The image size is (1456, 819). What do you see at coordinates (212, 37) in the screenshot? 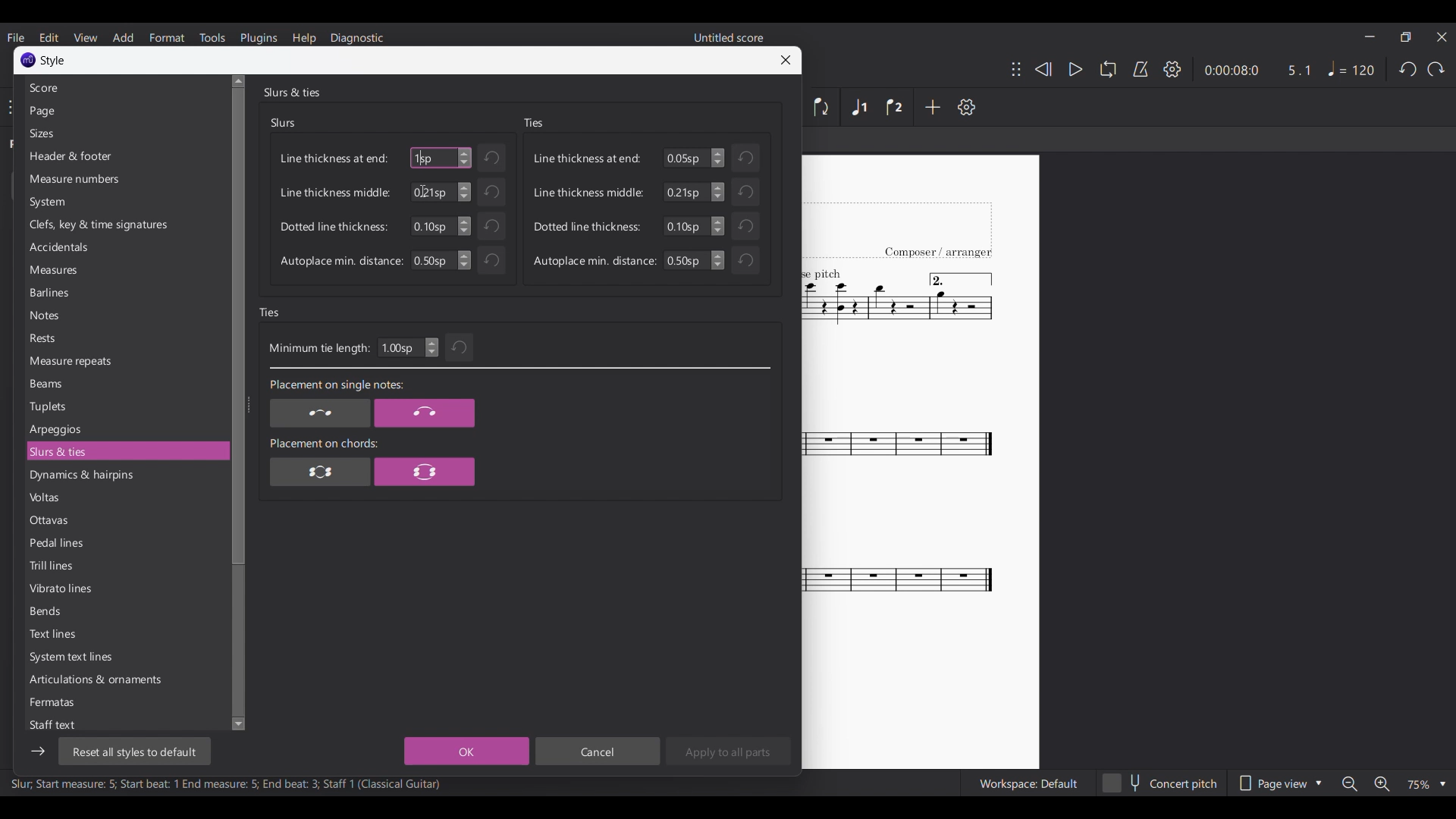
I see `Tools menu` at bounding box center [212, 37].